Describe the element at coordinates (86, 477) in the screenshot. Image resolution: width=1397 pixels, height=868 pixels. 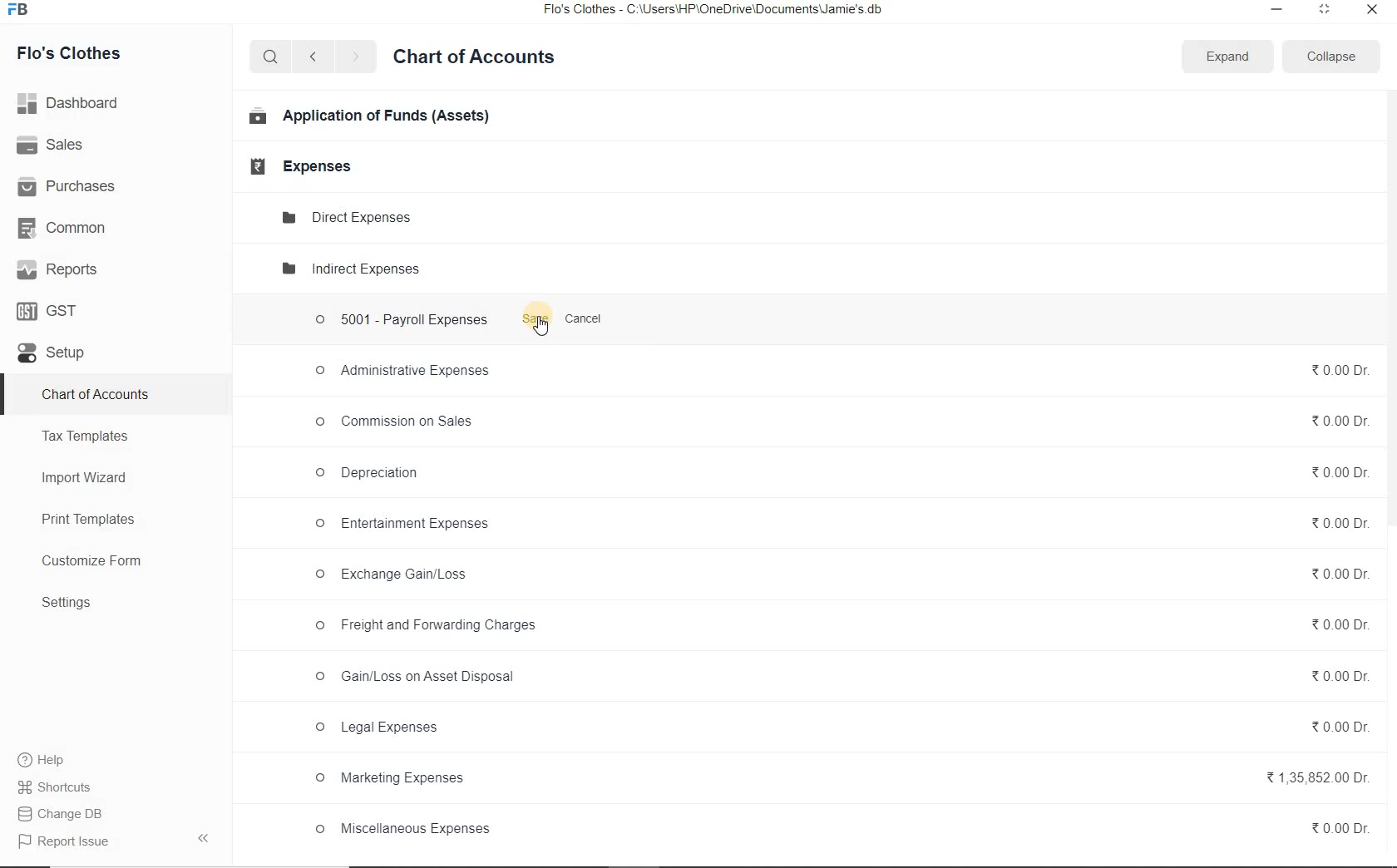
I see `Import Wizard` at that location.